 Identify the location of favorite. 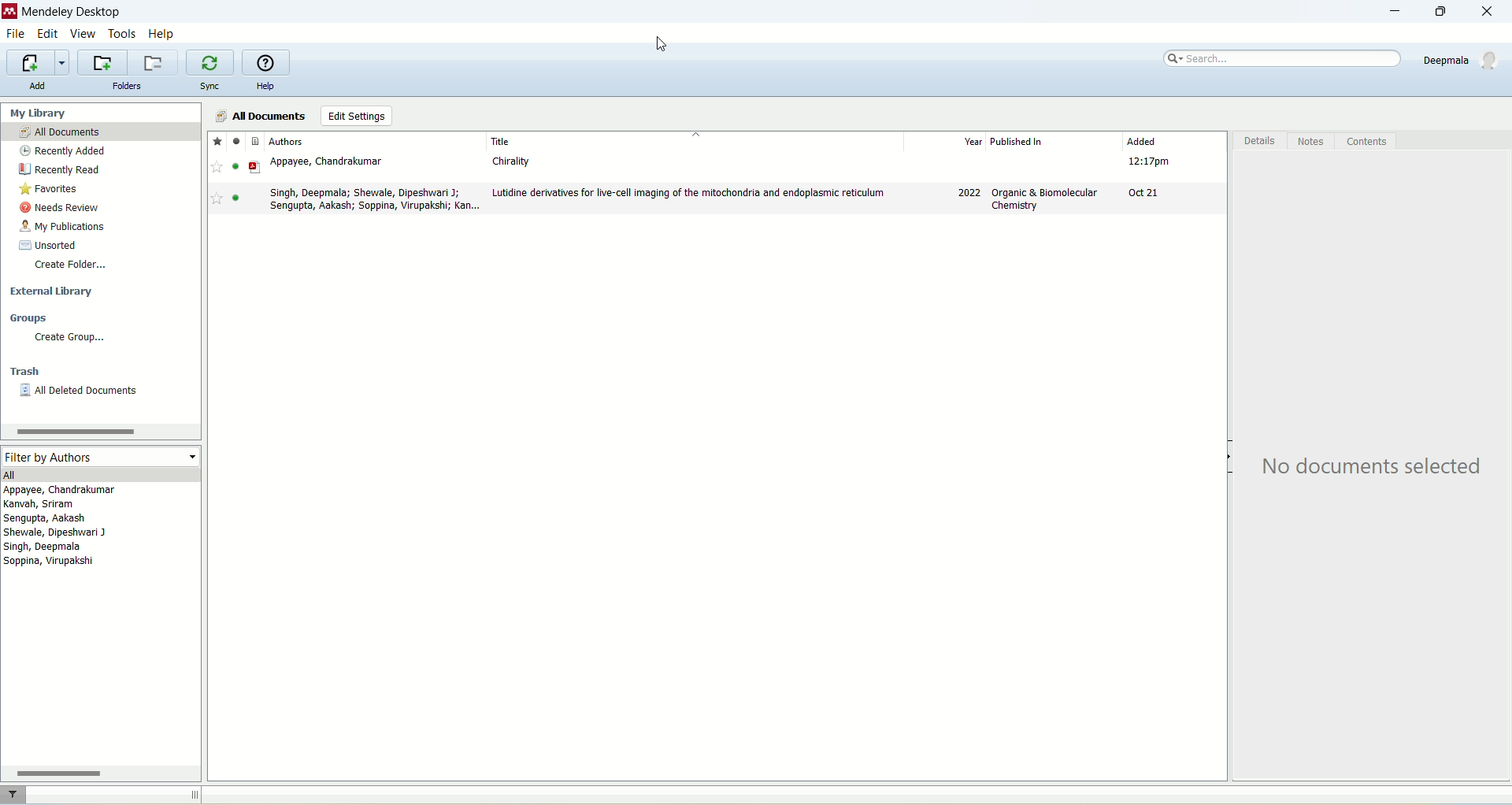
(216, 140).